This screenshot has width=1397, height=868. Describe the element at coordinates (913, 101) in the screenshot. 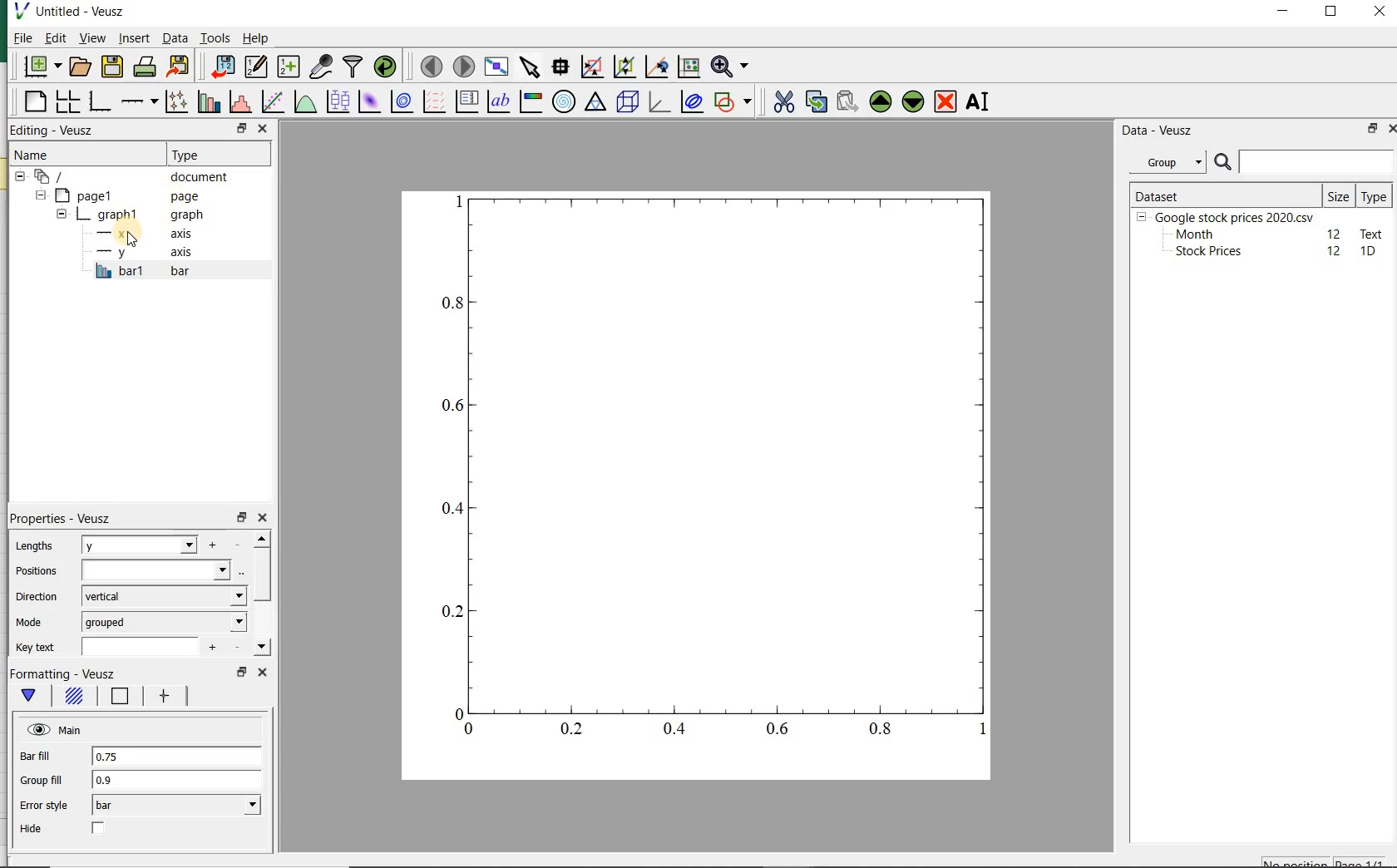

I see `move the selected widget down` at that location.